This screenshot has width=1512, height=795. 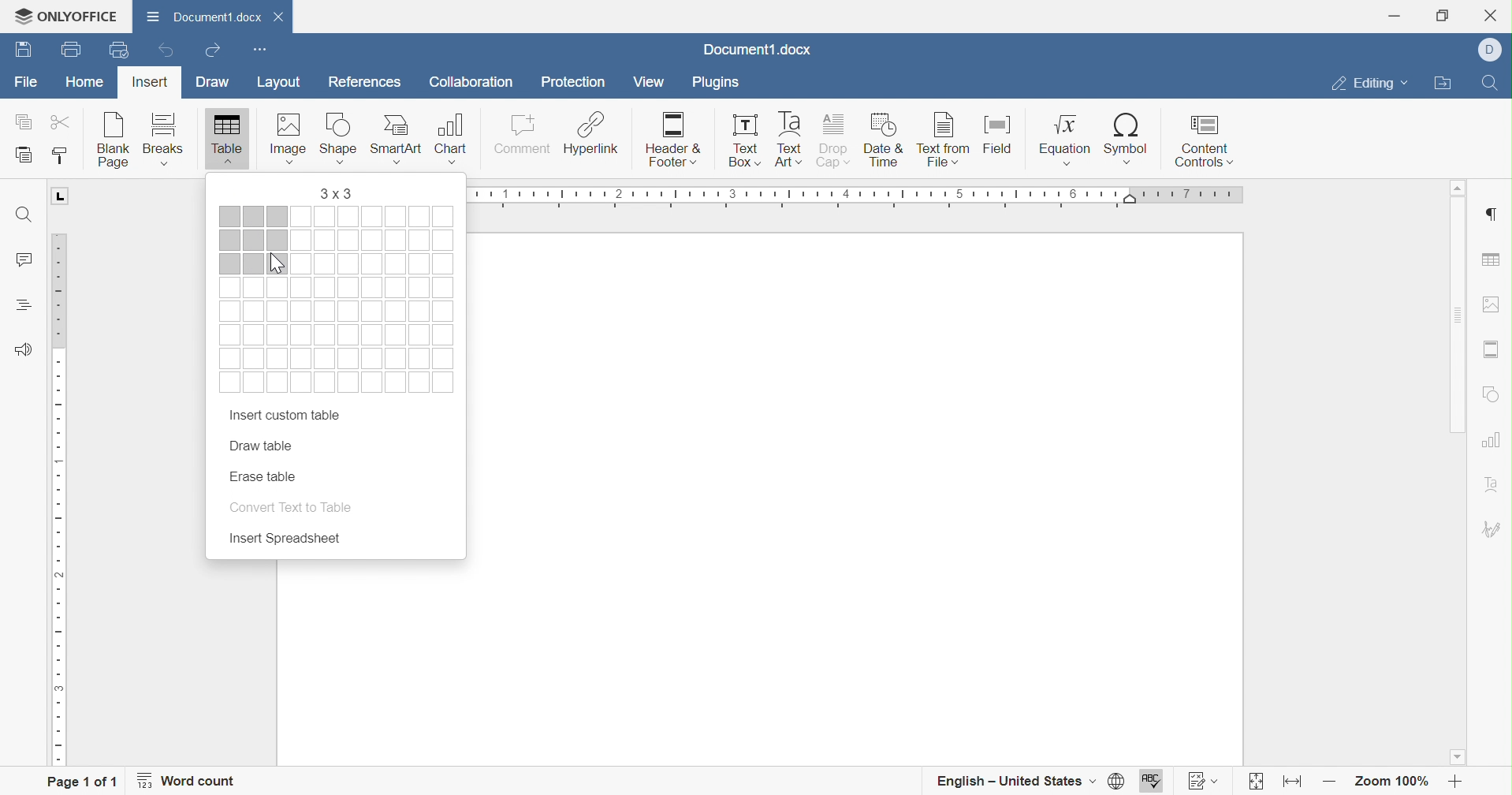 What do you see at coordinates (1128, 137) in the screenshot?
I see `Symbol` at bounding box center [1128, 137].